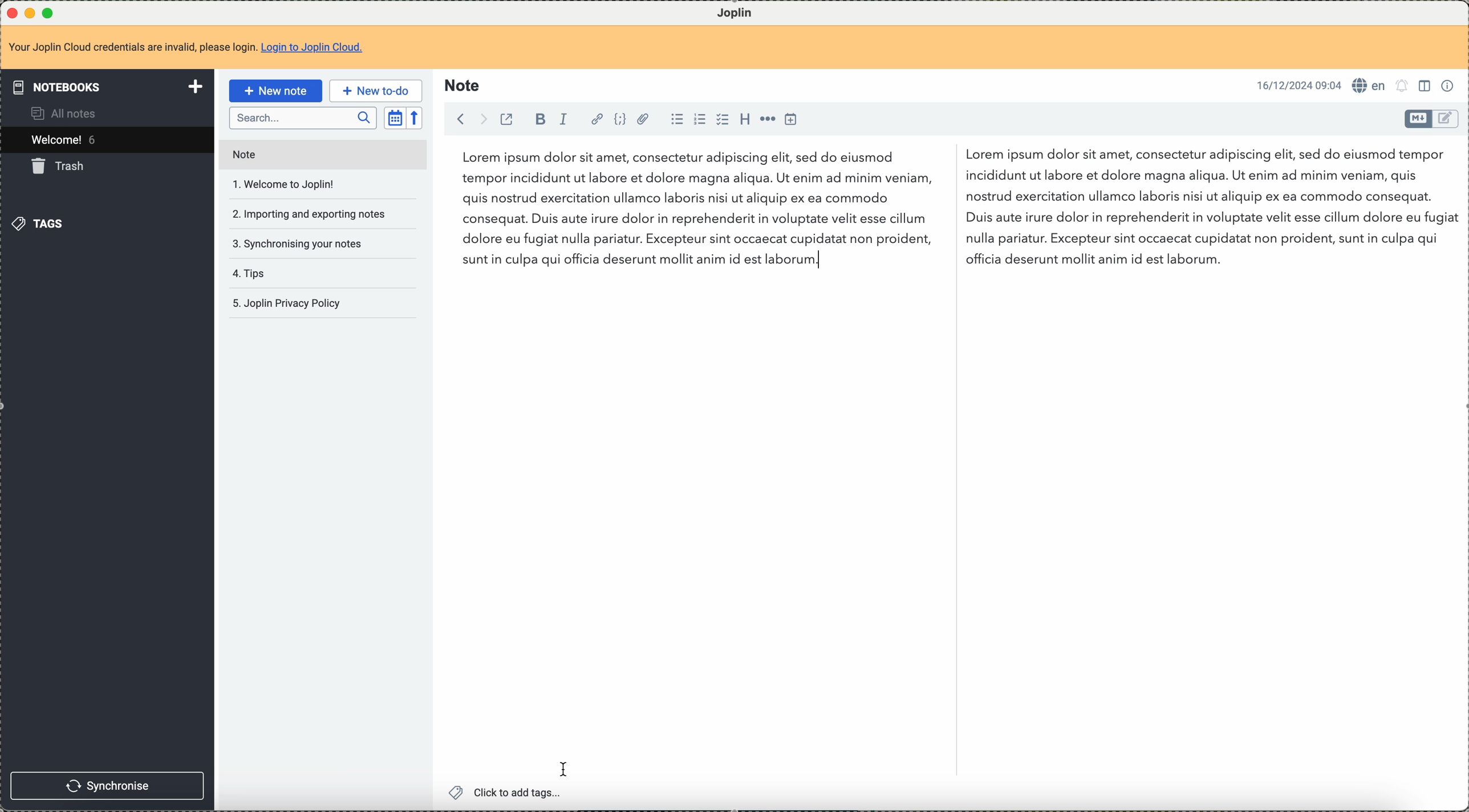 This screenshot has width=1469, height=812. Describe the element at coordinates (505, 793) in the screenshot. I see `click to add tags` at that location.